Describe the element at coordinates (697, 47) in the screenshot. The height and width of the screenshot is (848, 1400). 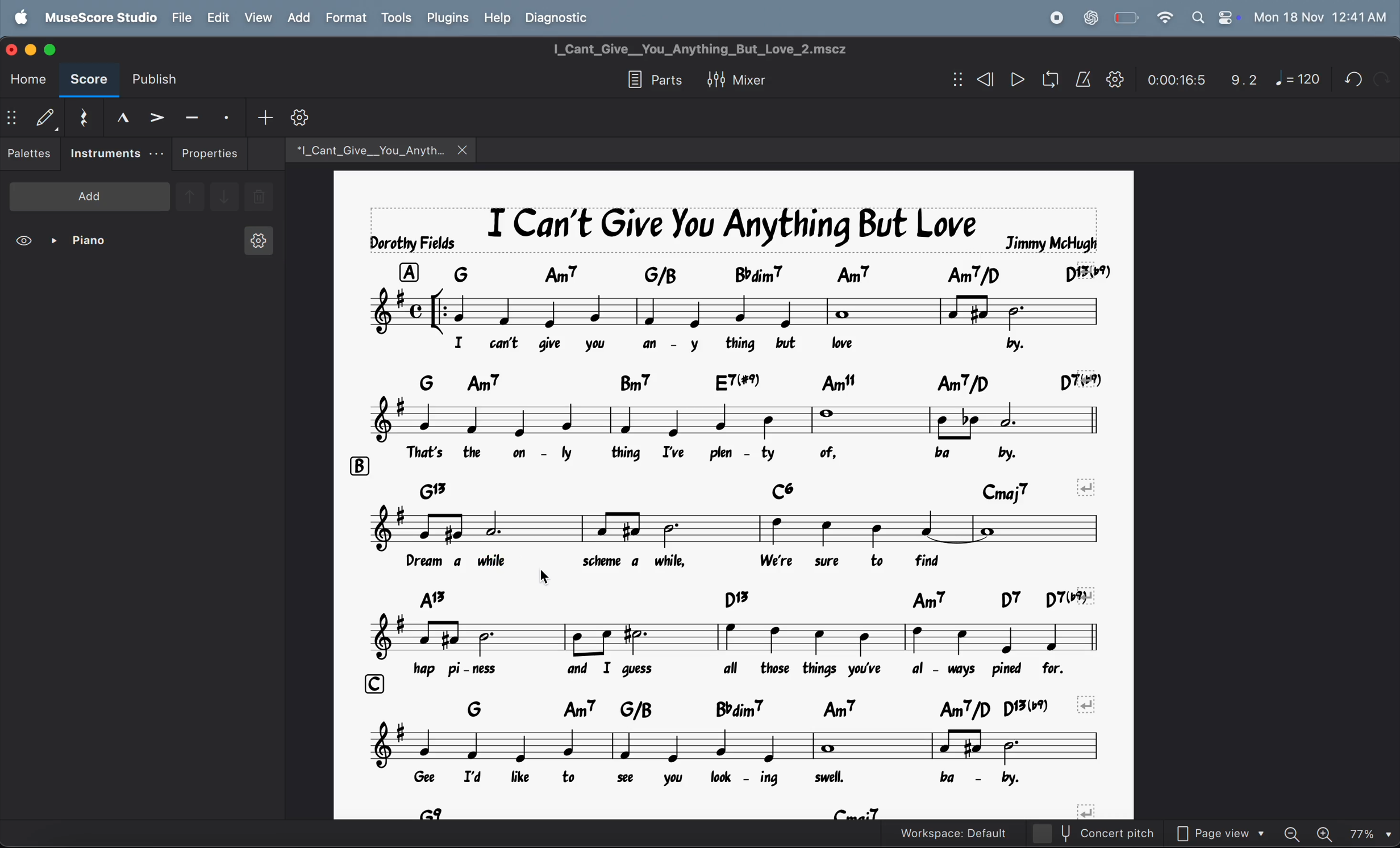
I see `page title` at that location.